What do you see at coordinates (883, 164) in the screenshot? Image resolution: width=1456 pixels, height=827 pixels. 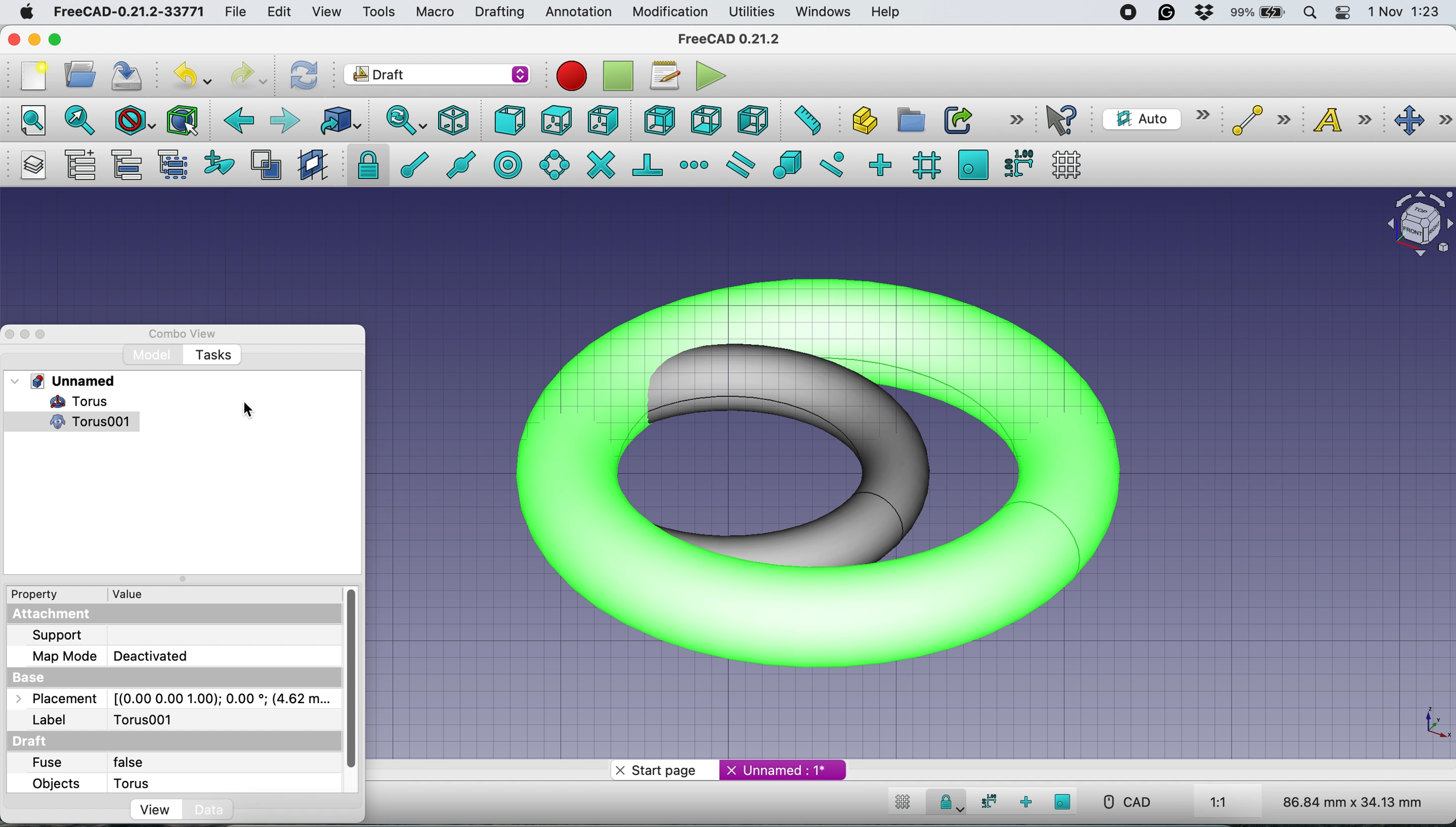 I see `snap ortho` at bounding box center [883, 164].